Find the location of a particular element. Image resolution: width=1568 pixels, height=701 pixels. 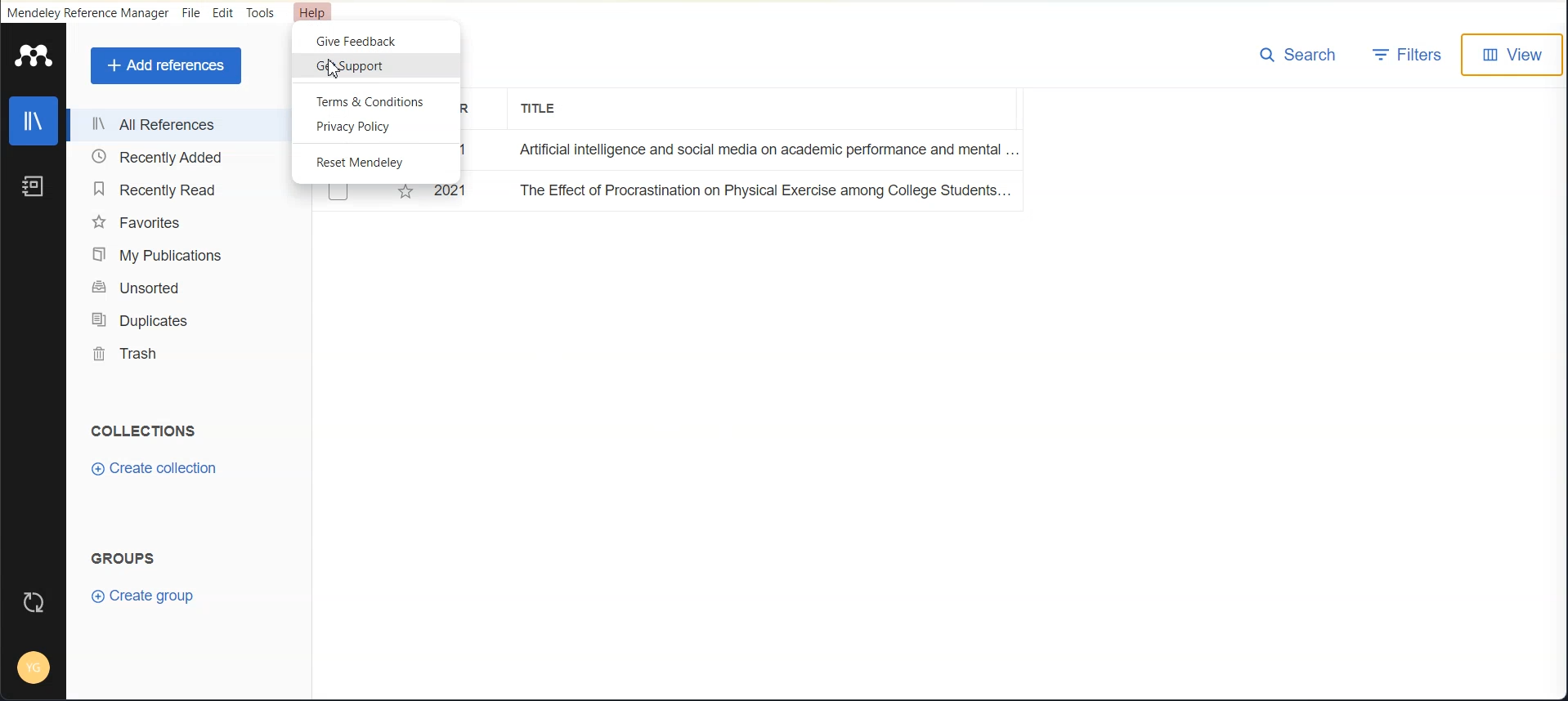

Trash is located at coordinates (184, 354).